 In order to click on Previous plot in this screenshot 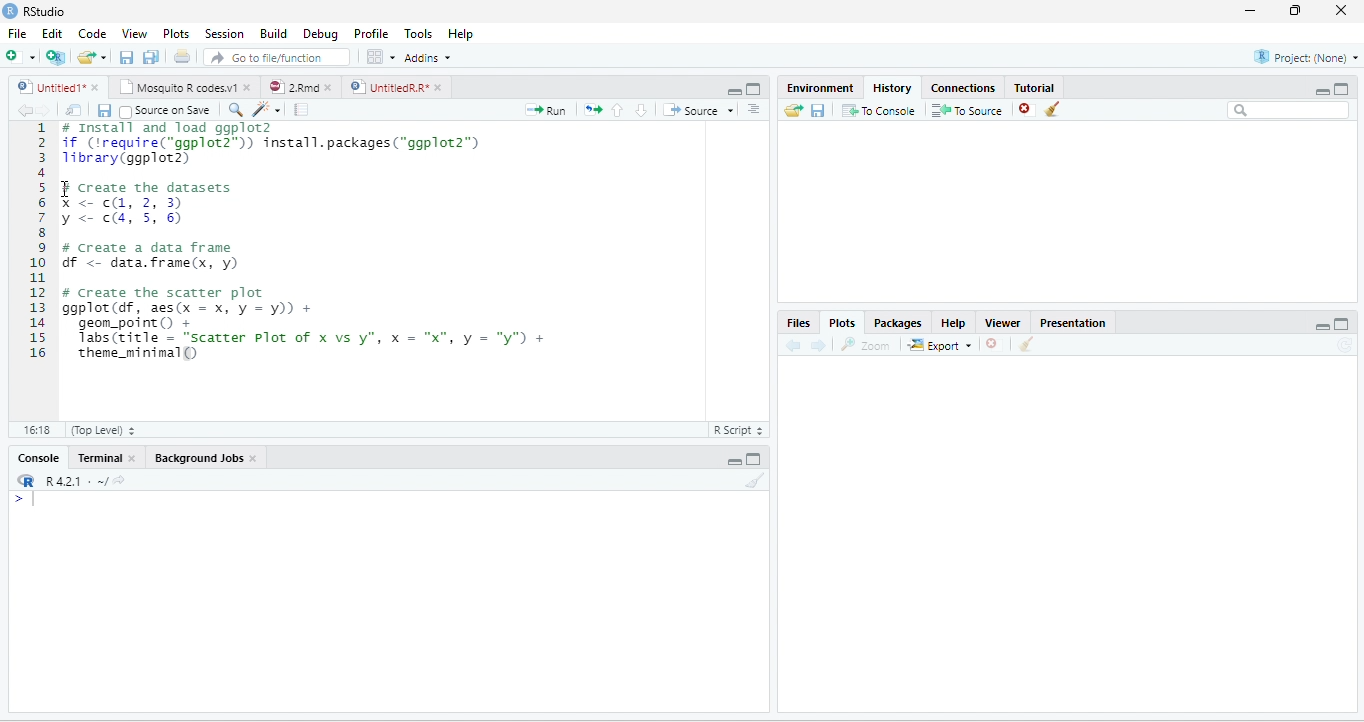, I will do `click(794, 345)`.